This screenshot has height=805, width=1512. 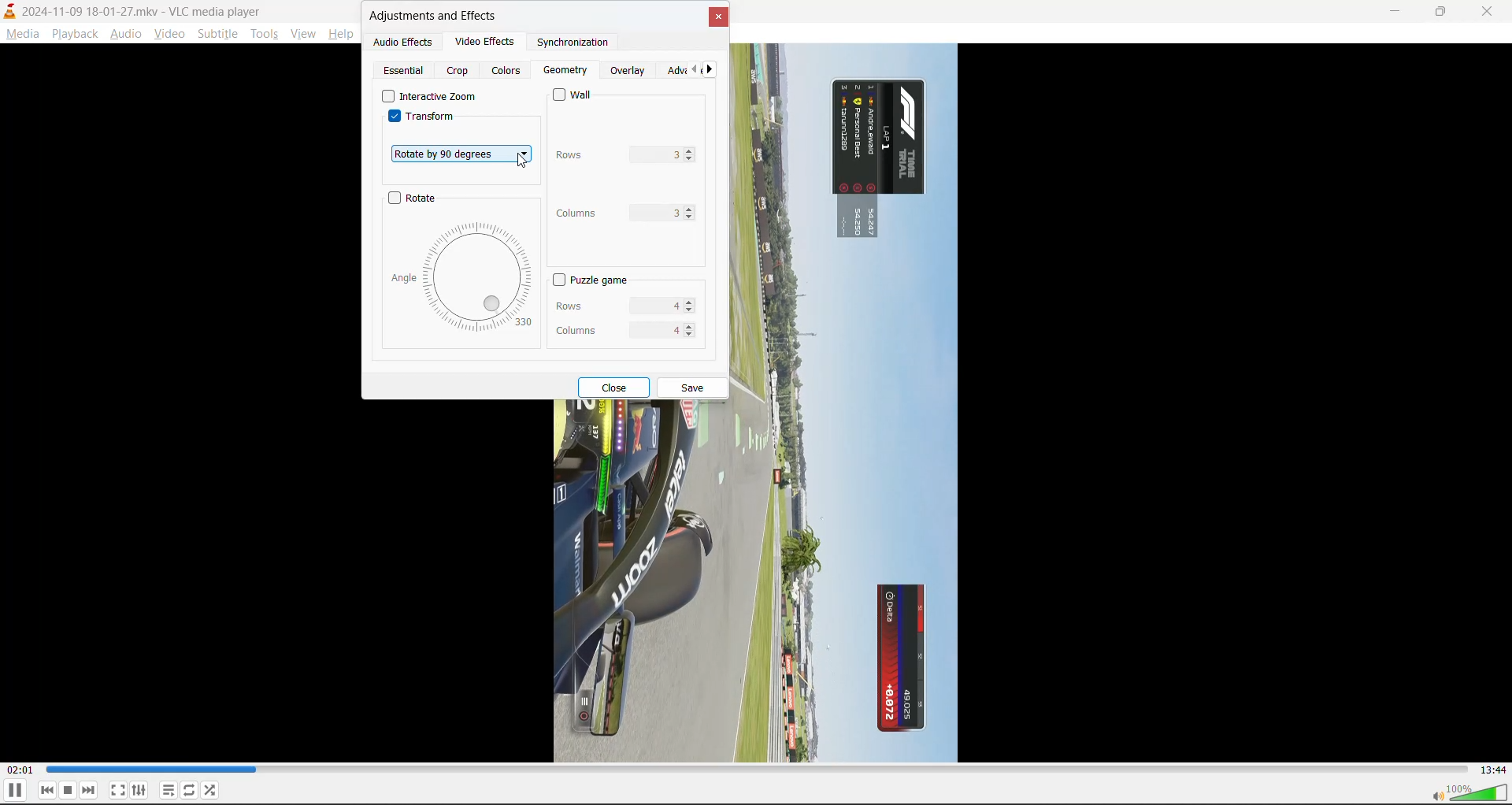 What do you see at coordinates (689, 302) in the screenshot?
I see `Increase` at bounding box center [689, 302].